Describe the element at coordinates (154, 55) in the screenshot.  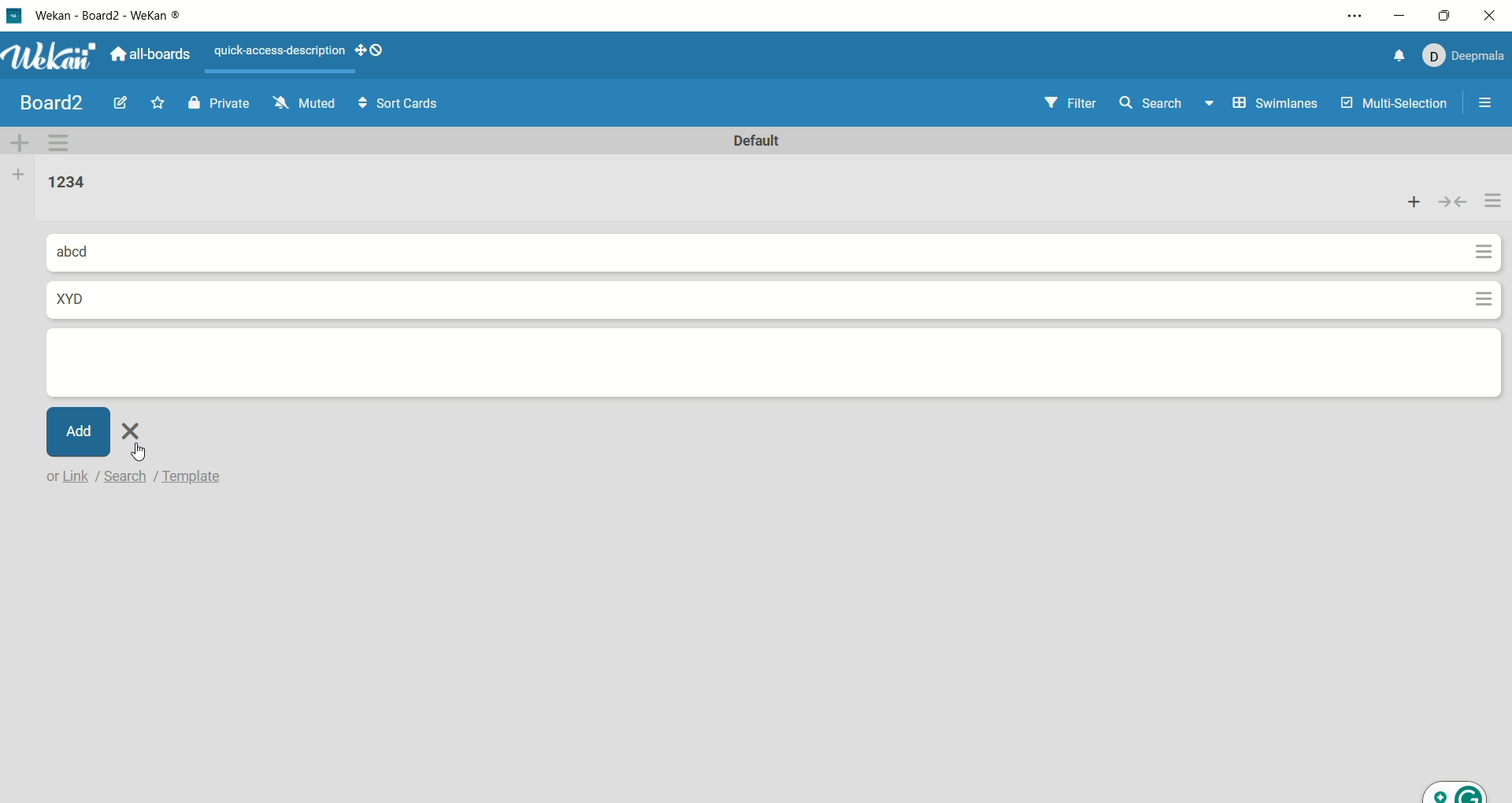
I see `all boards` at that location.